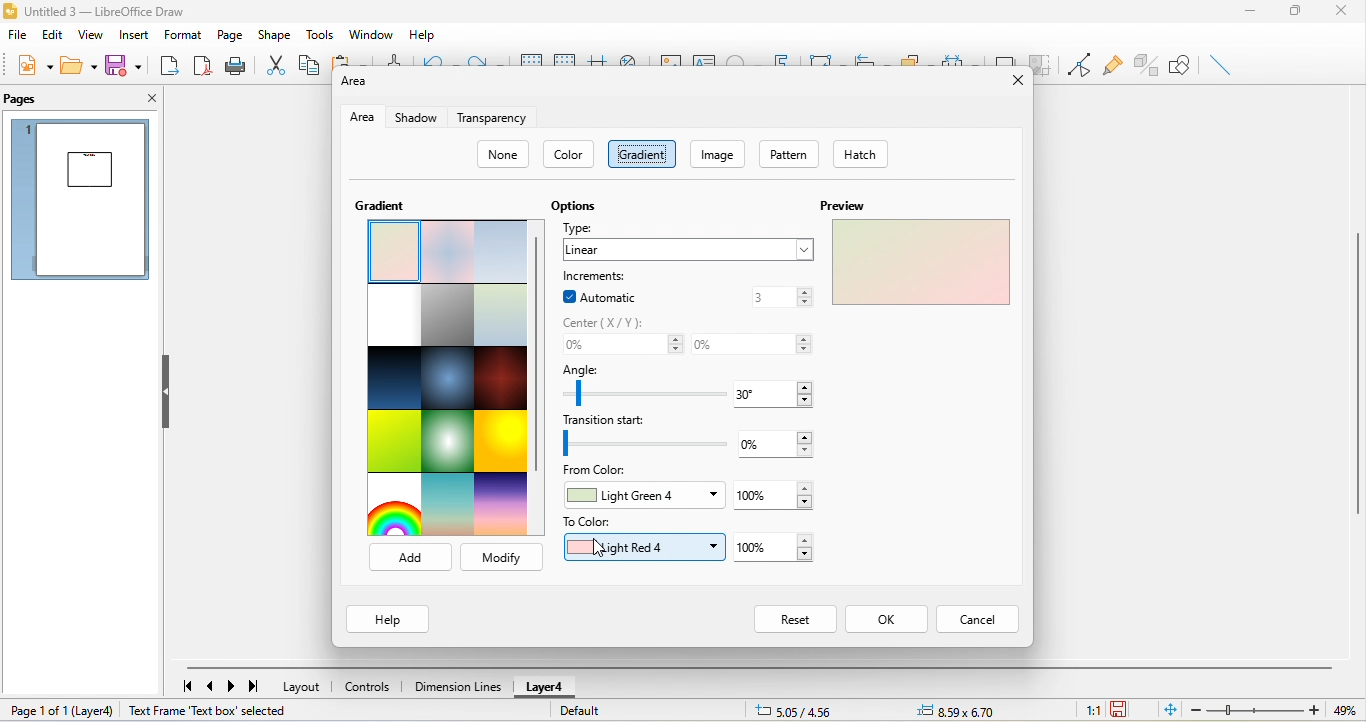 This screenshot has height=722, width=1366. I want to click on edit, so click(53, 35).